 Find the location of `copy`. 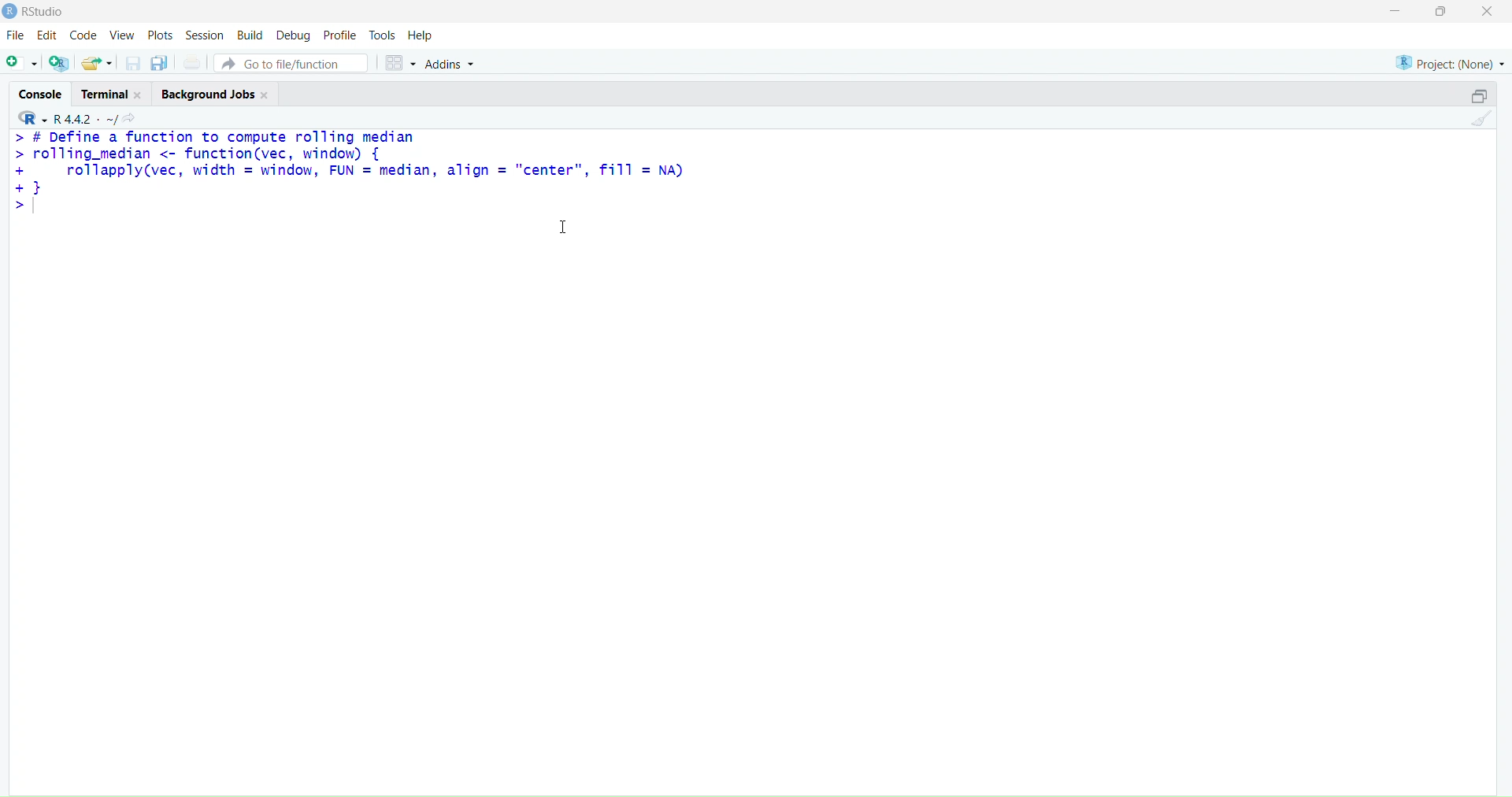

copy is located at coordinates (160, 63).